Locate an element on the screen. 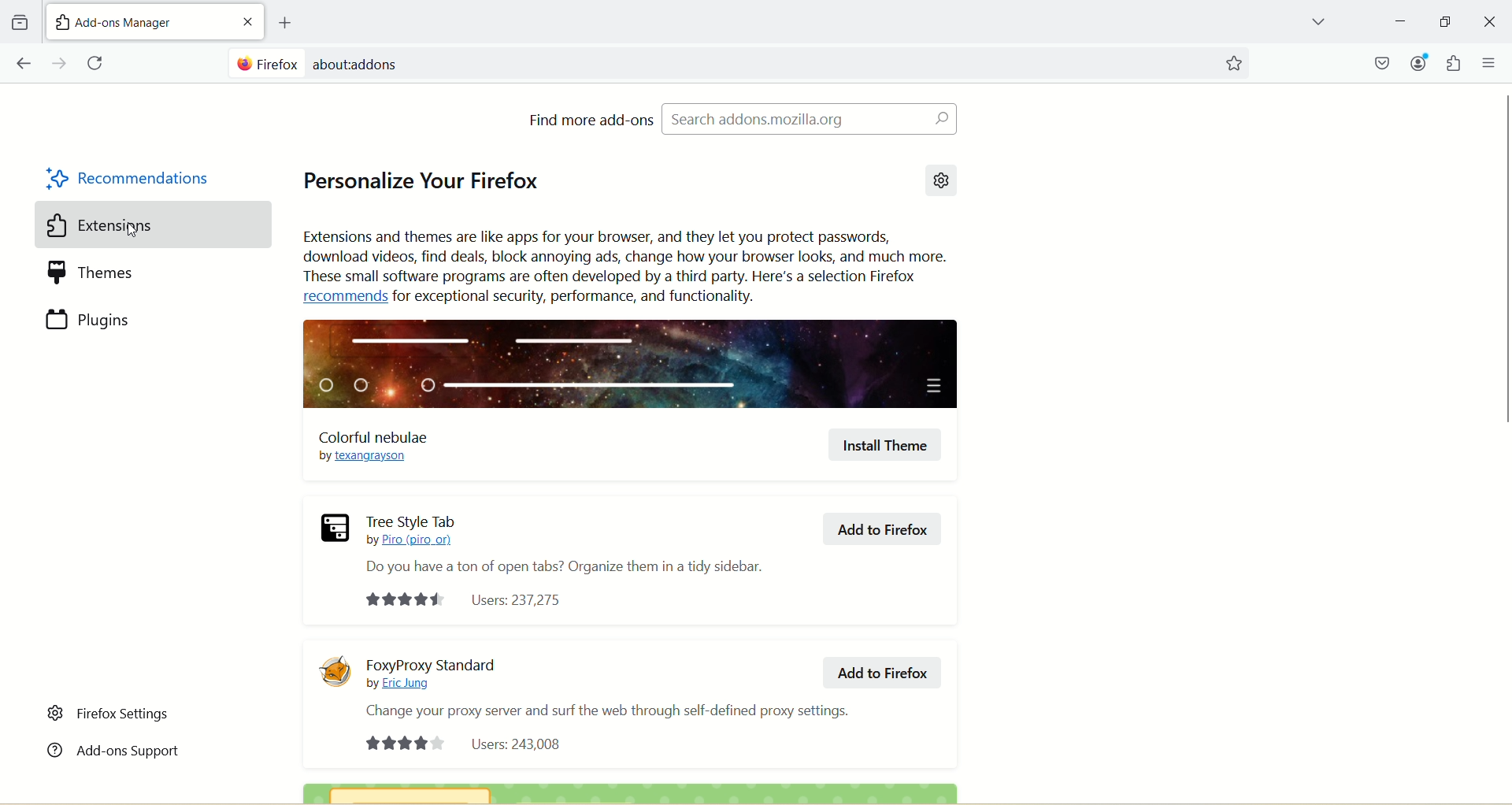 Image resolution: width=1512 pixels, height=805 pixels. Move Forwards is located at coordinates (61, 63).